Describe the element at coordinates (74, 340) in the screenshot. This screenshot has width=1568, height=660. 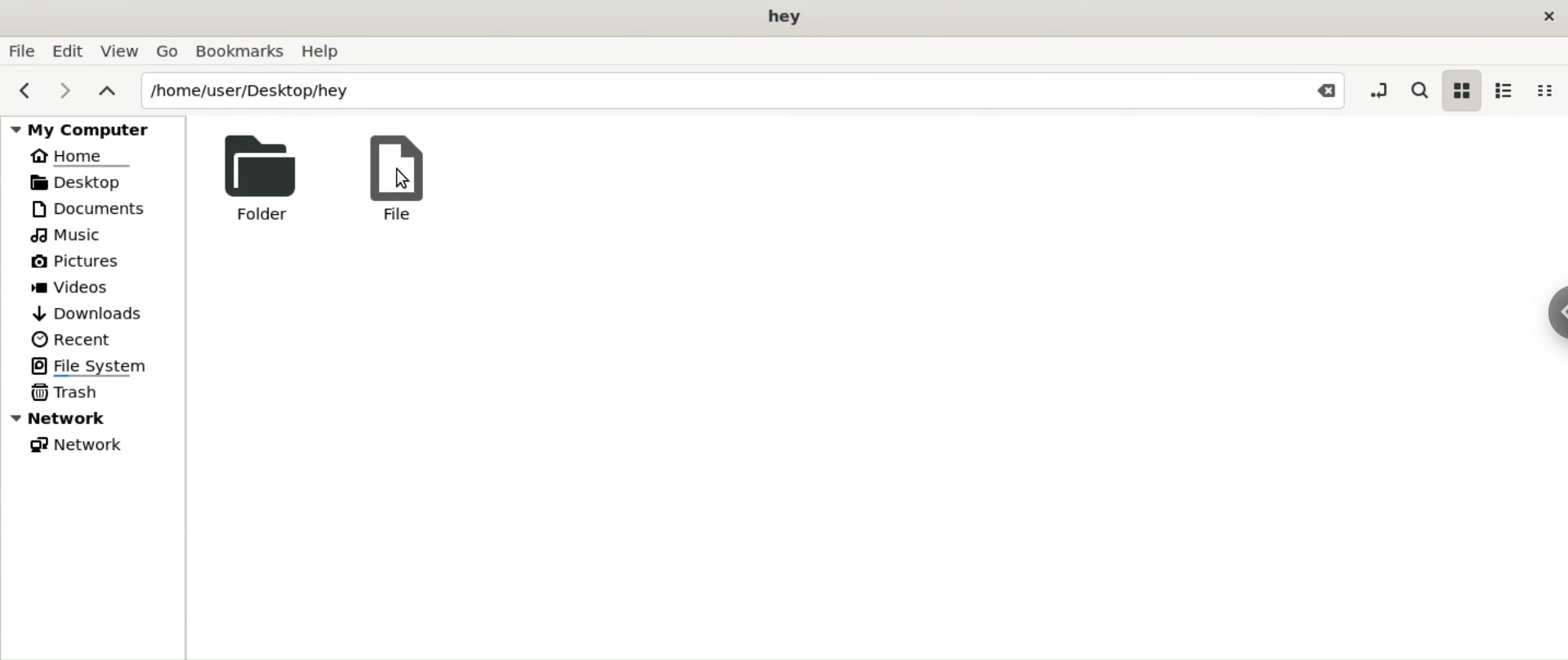
I see `Recent` at that location.